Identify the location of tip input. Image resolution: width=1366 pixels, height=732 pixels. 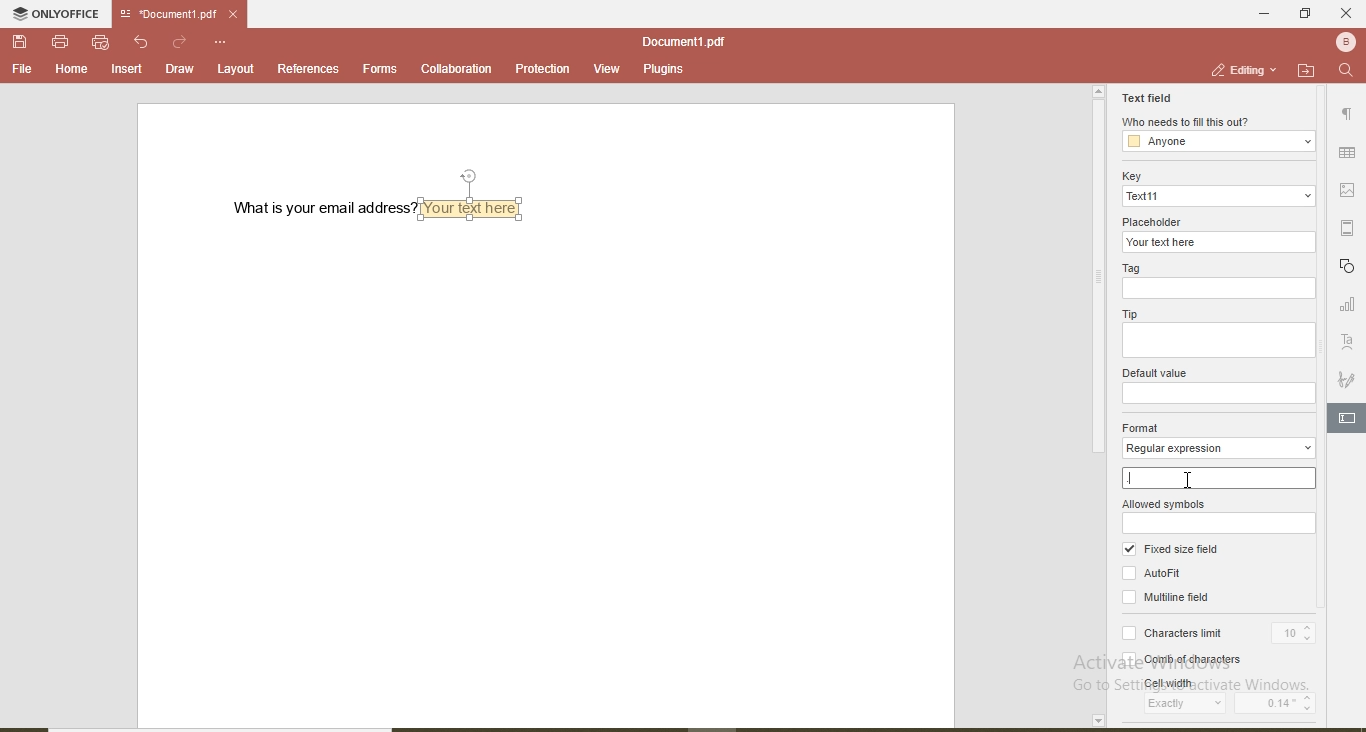
(1217, 341).